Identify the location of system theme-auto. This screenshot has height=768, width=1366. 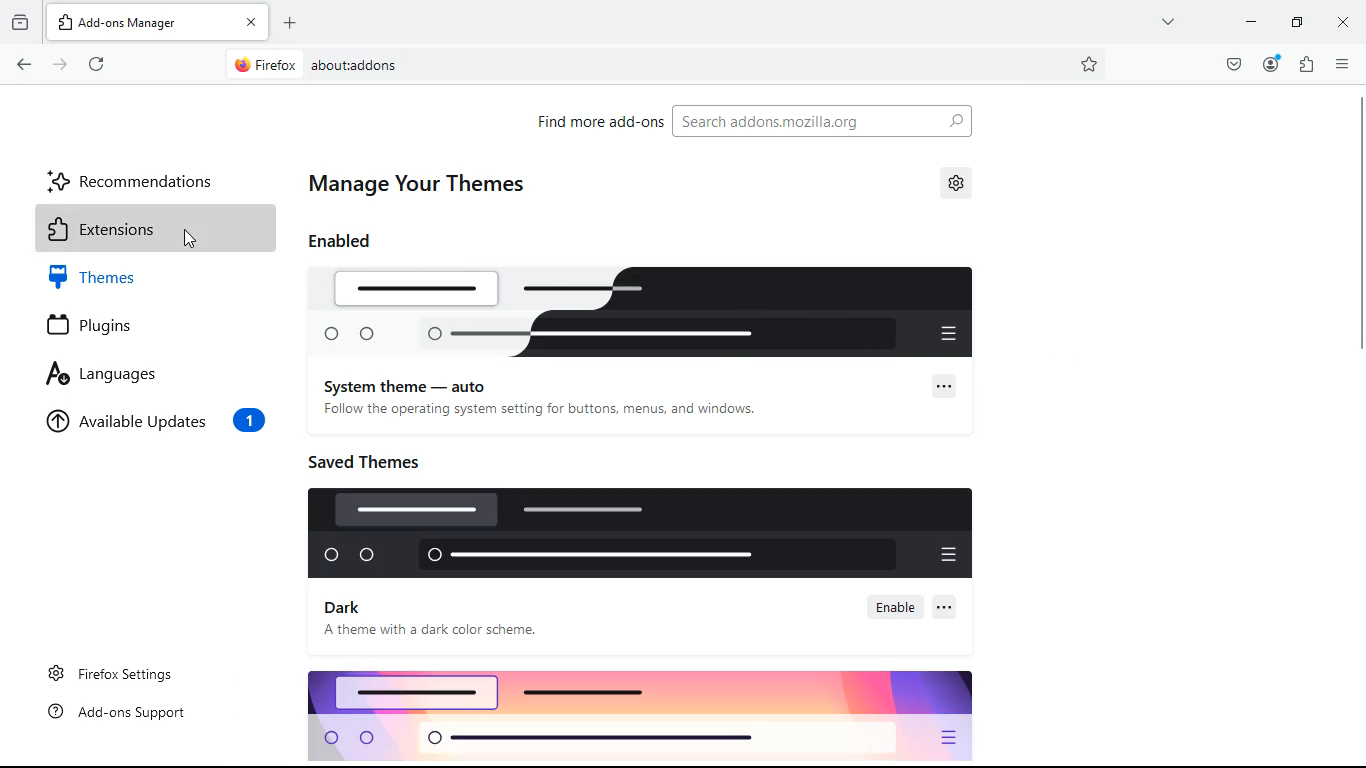
(412, 383).